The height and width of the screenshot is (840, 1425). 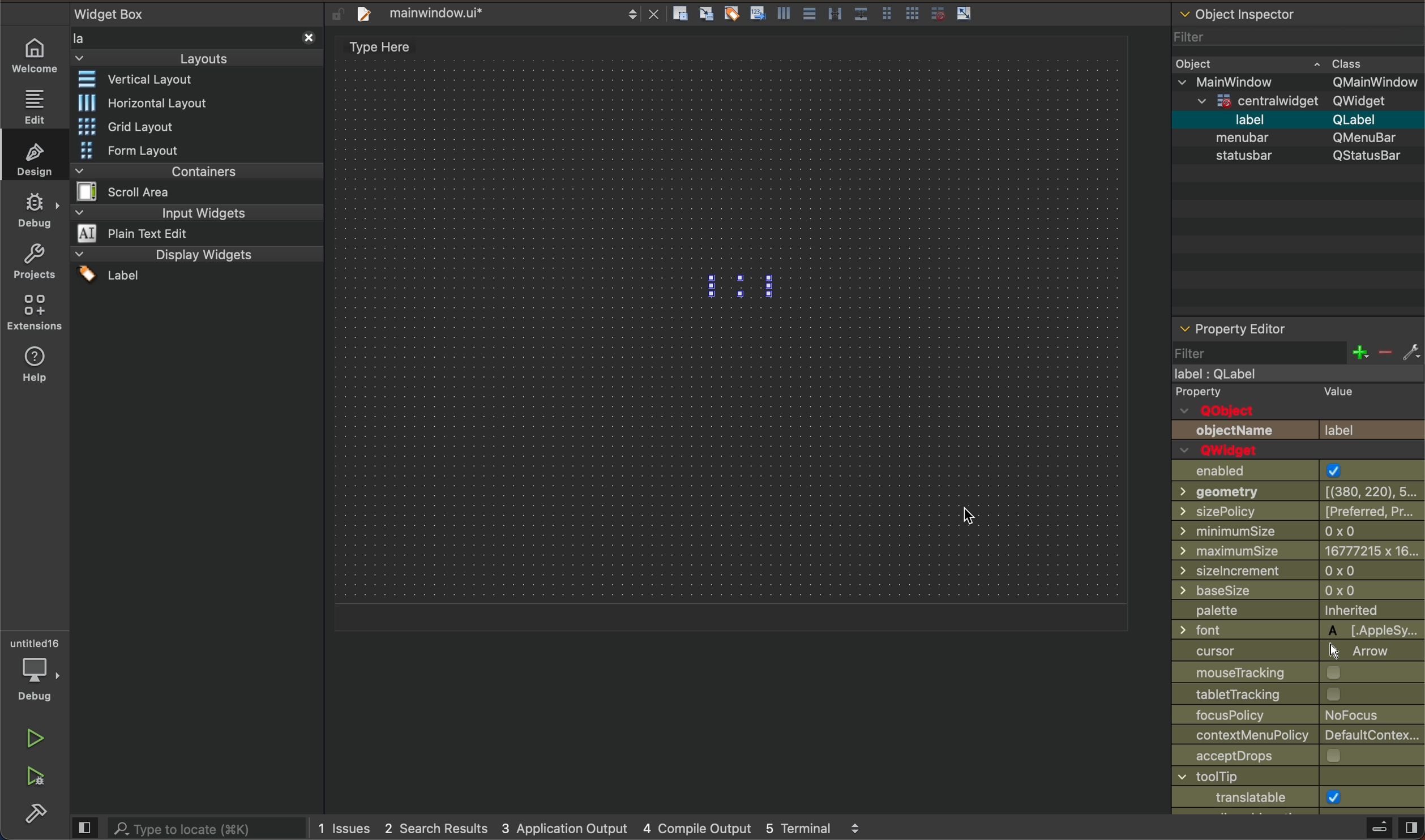 I want to click on build, so click(x=31, y=815).